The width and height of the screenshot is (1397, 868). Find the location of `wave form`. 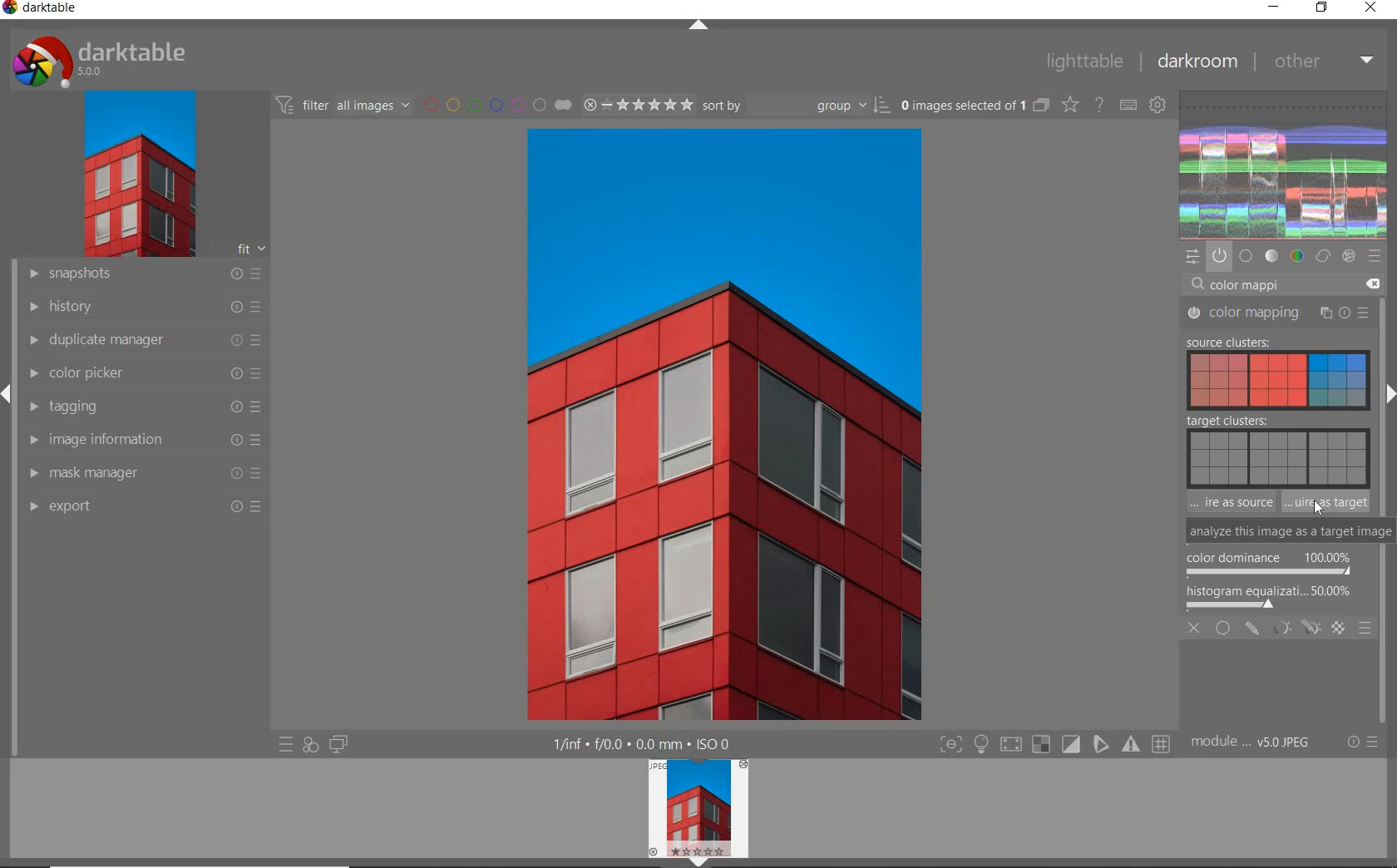

wave form is located at coordinates (1284, 165).